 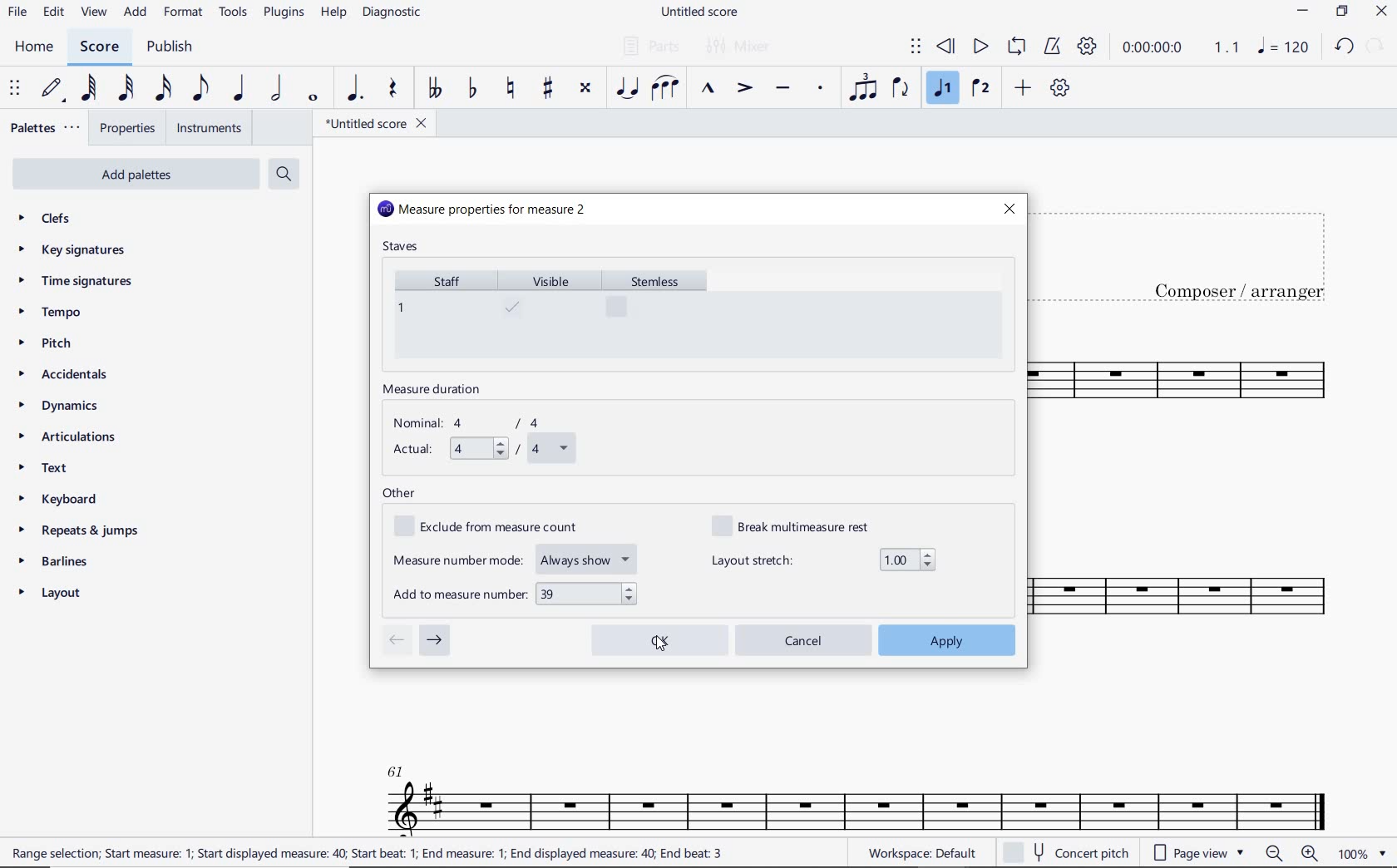 What do you see at coordinates (1342, 13) in the screenshot?
I see `RESTORE DOWN` at bounding box center [1342, 13].